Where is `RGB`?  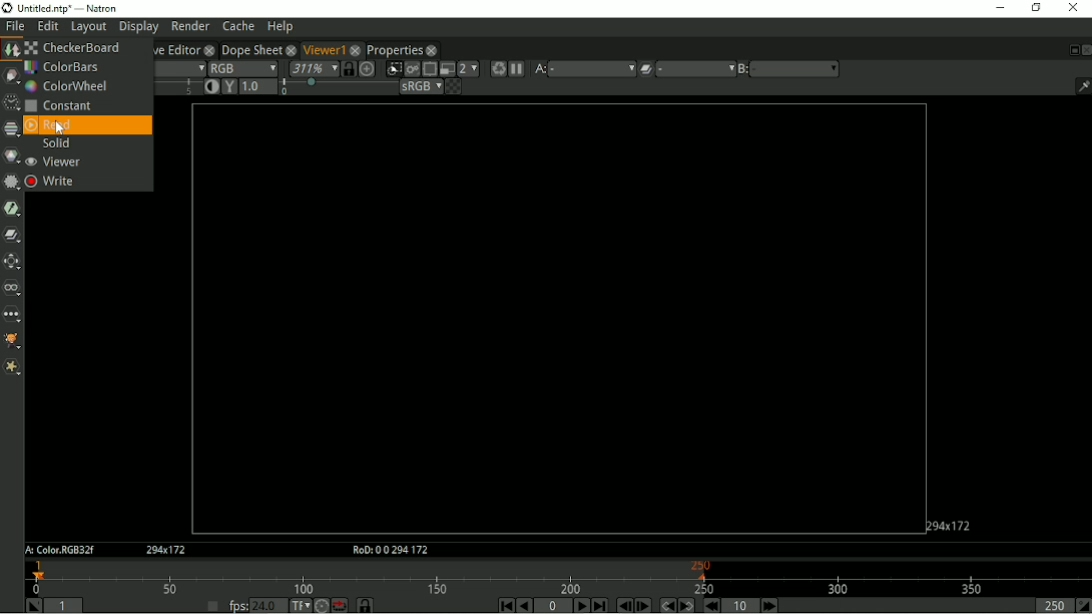 RGB is located at coordinates (243, 67).